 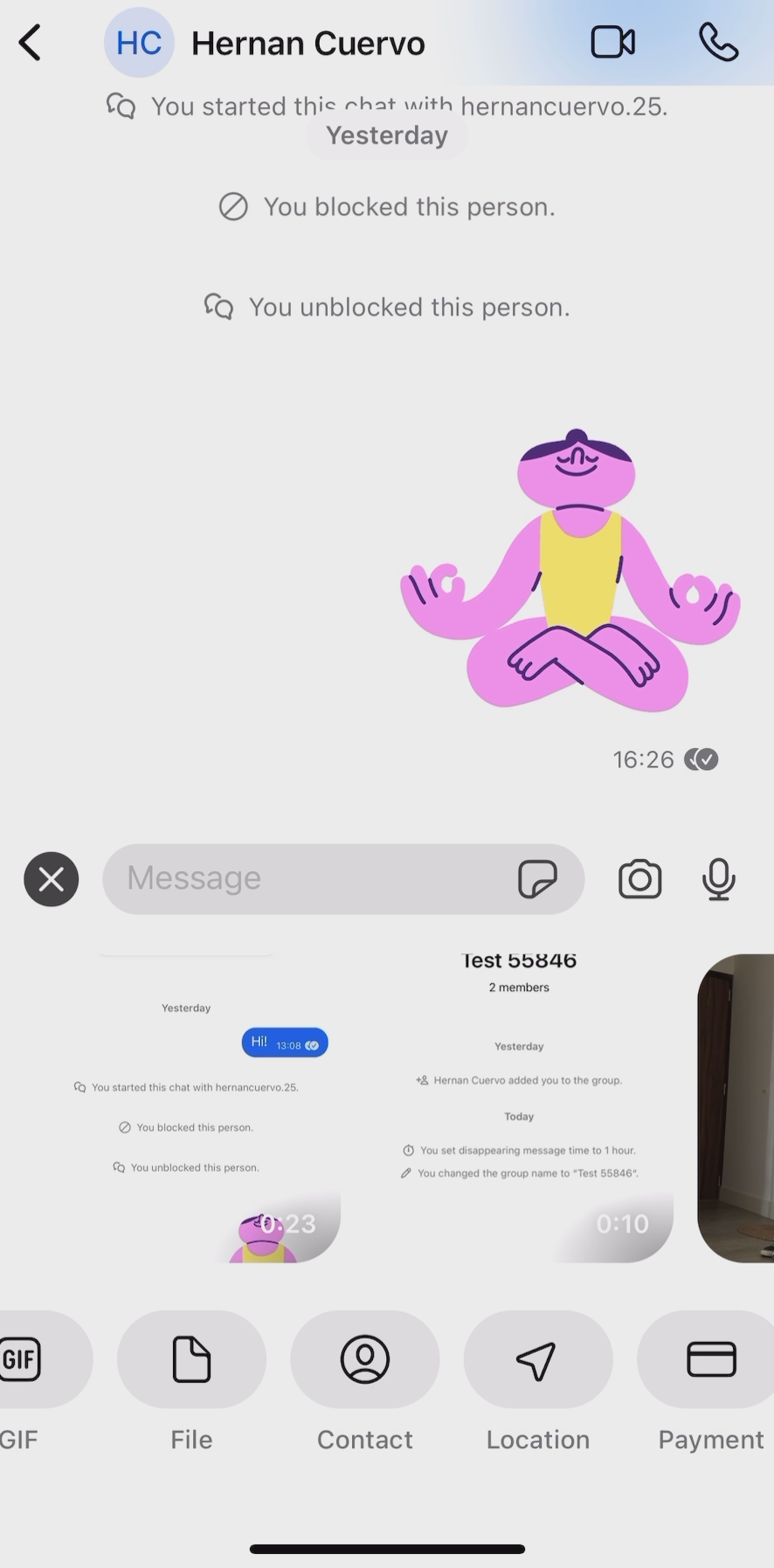 What do you see at coordinates (390, 1114) in the screenshot?
I see `files` at bounding box center [390, 1114].